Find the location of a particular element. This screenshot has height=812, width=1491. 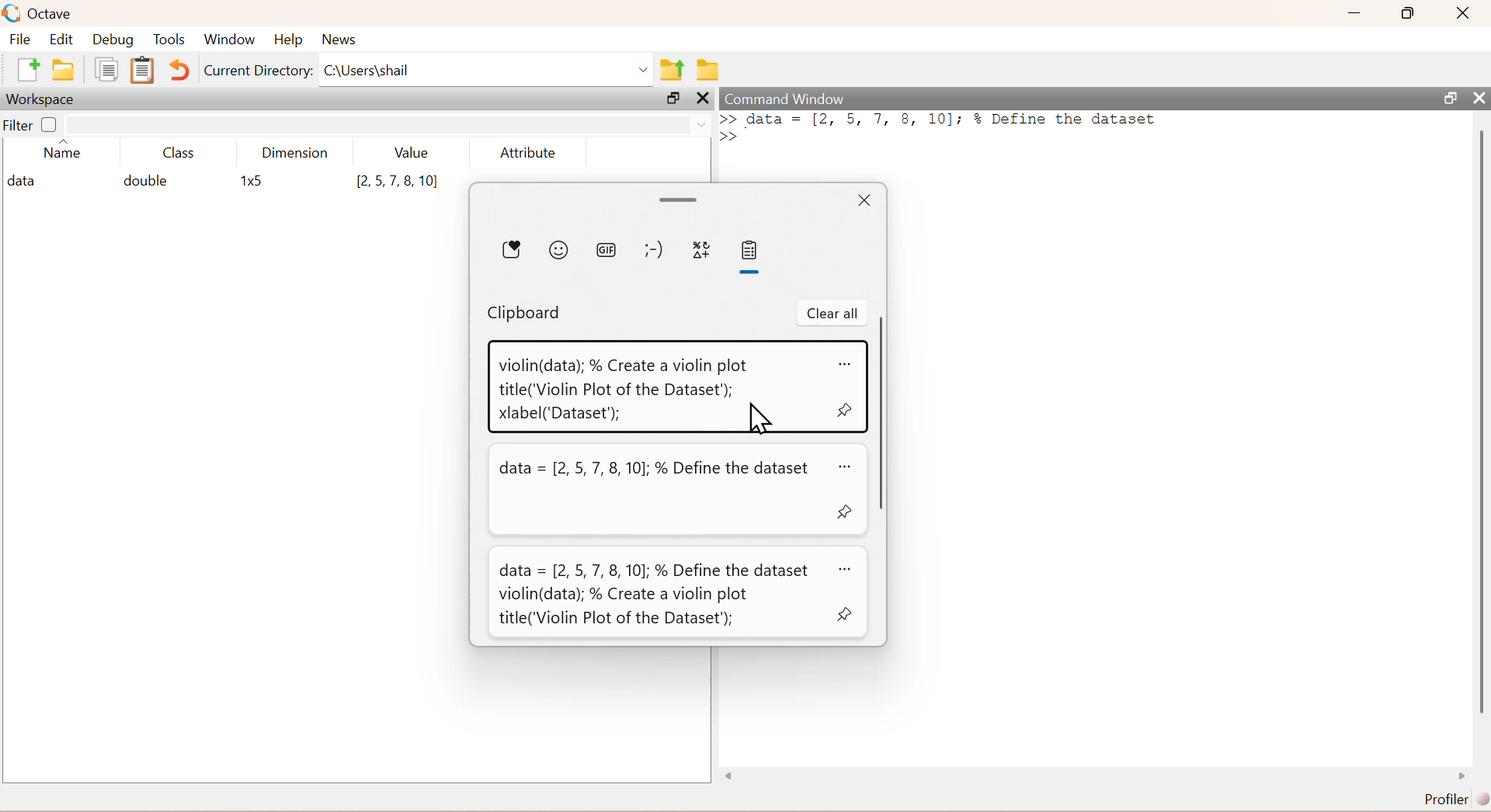

logo is located at coordinates (13, 13).